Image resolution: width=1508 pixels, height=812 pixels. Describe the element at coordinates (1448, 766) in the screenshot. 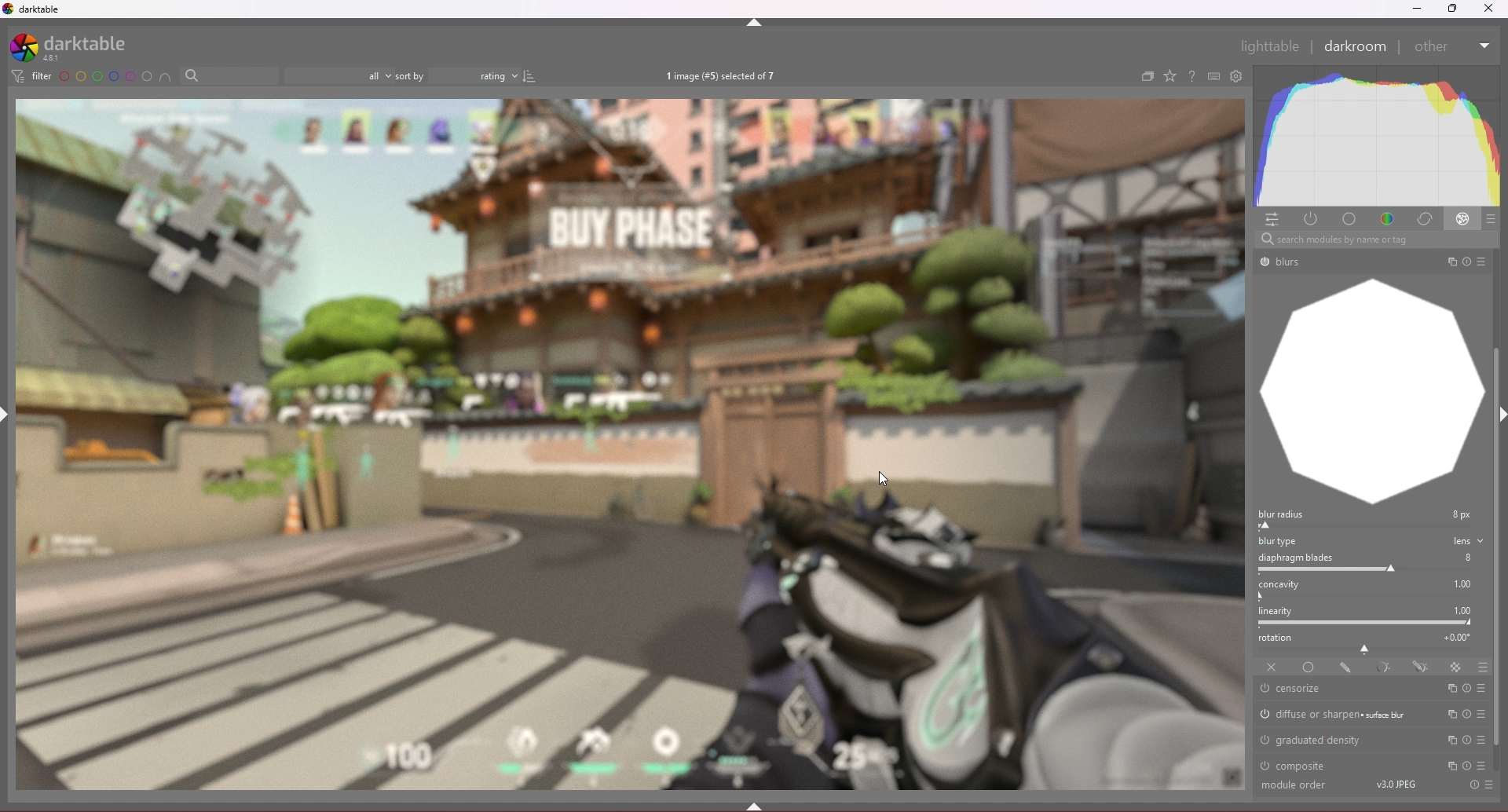

I see `multi instances actions` at that location.